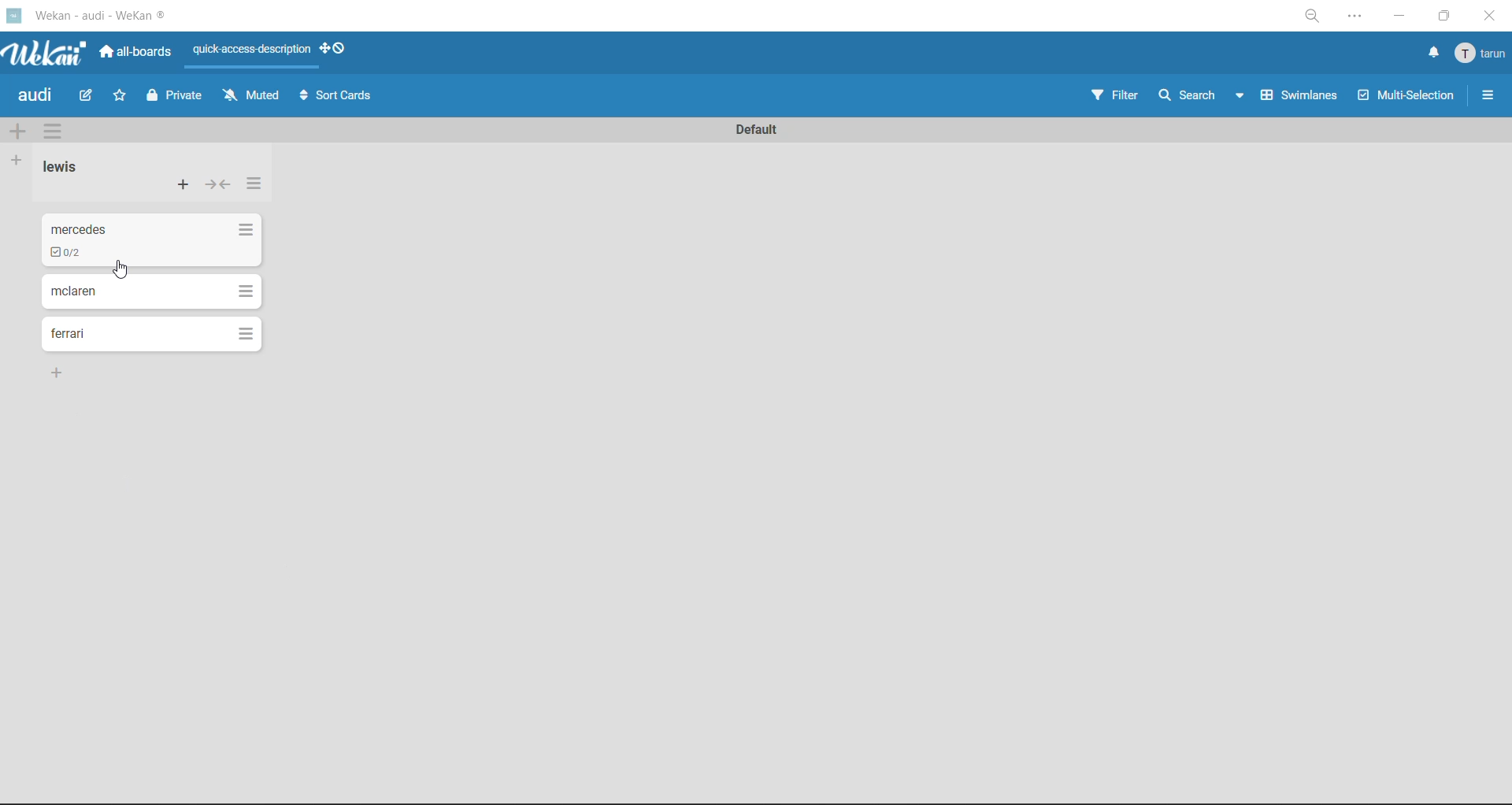  I want to click on cursor, so click(123, 269).